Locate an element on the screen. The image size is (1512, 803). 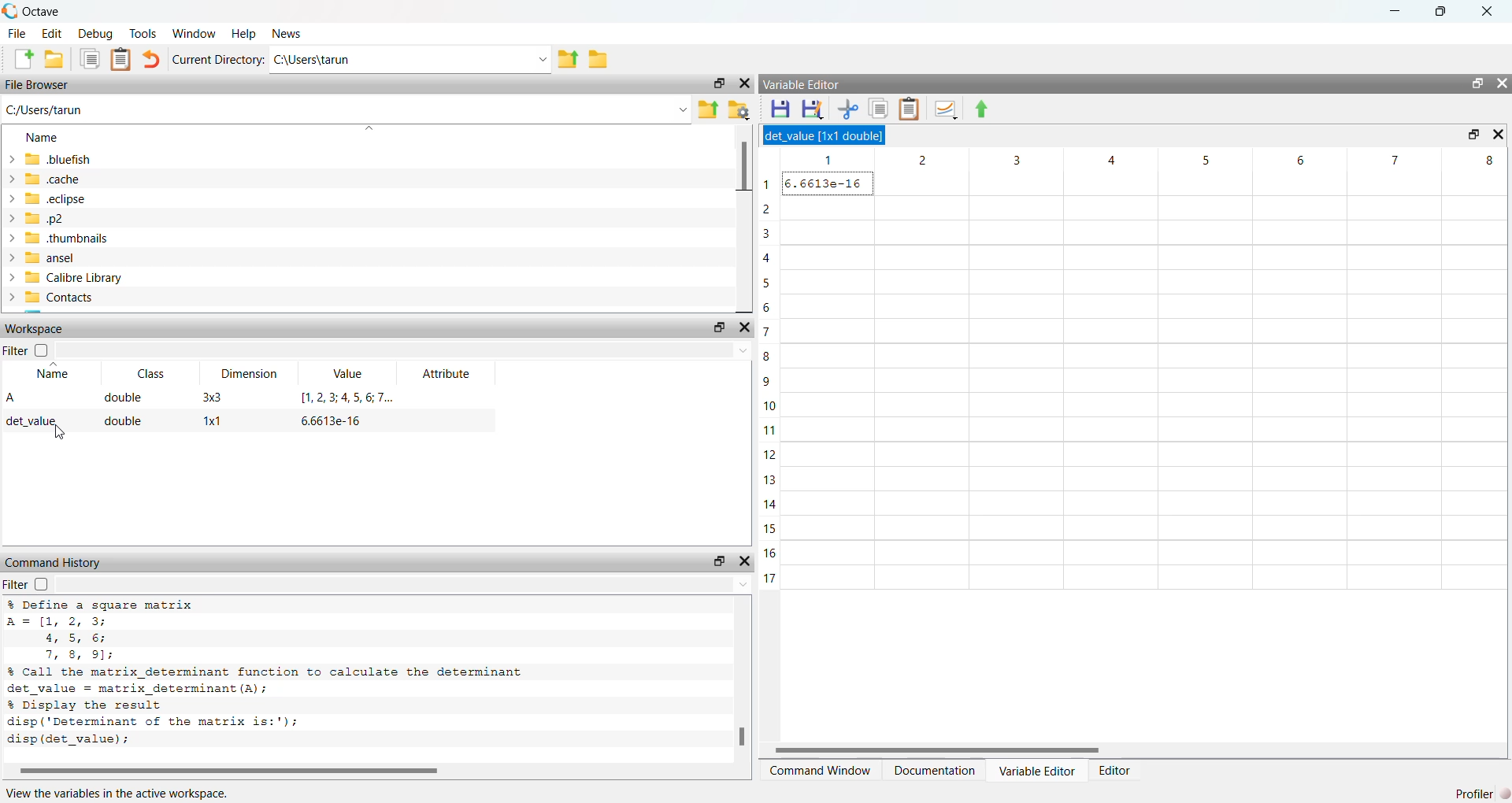
maximize is located at coordinates (1439, 12).